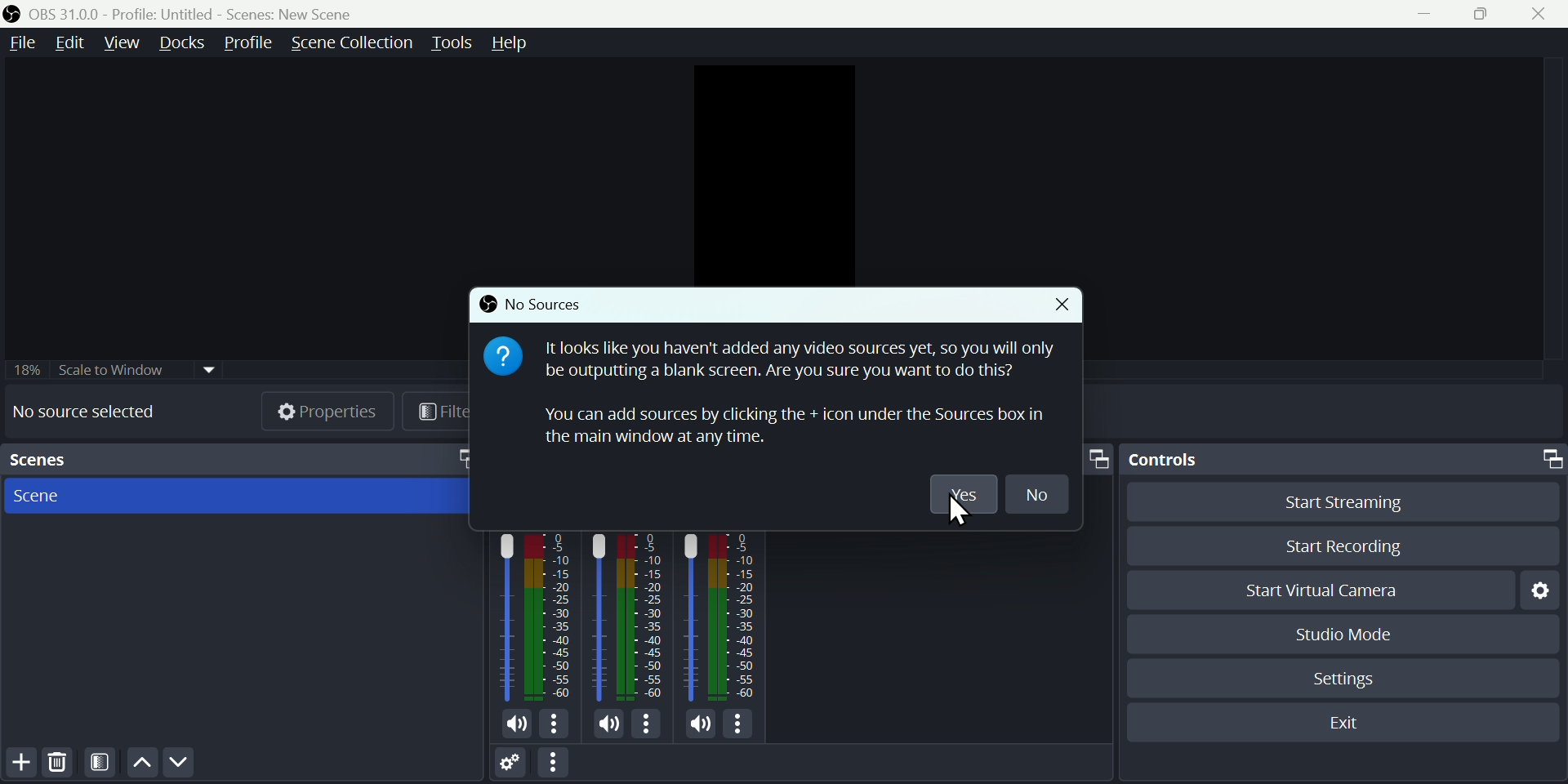 This screenshot has width=1568, height=784. I want to click on Tools, so click(451, 43).